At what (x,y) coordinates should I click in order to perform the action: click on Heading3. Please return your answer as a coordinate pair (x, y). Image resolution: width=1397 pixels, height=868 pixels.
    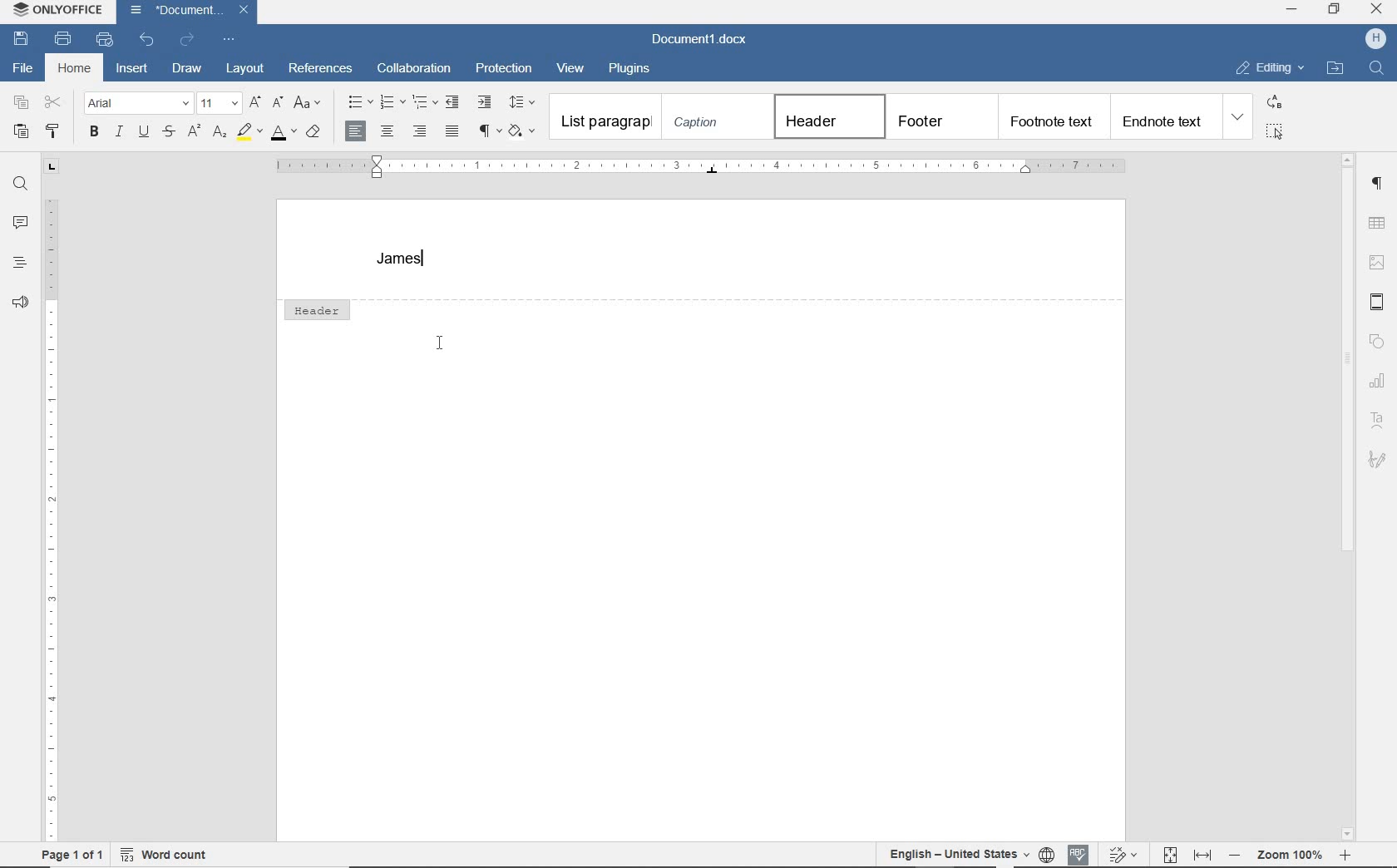
    Looking at the image, I should click on (1051, 116).